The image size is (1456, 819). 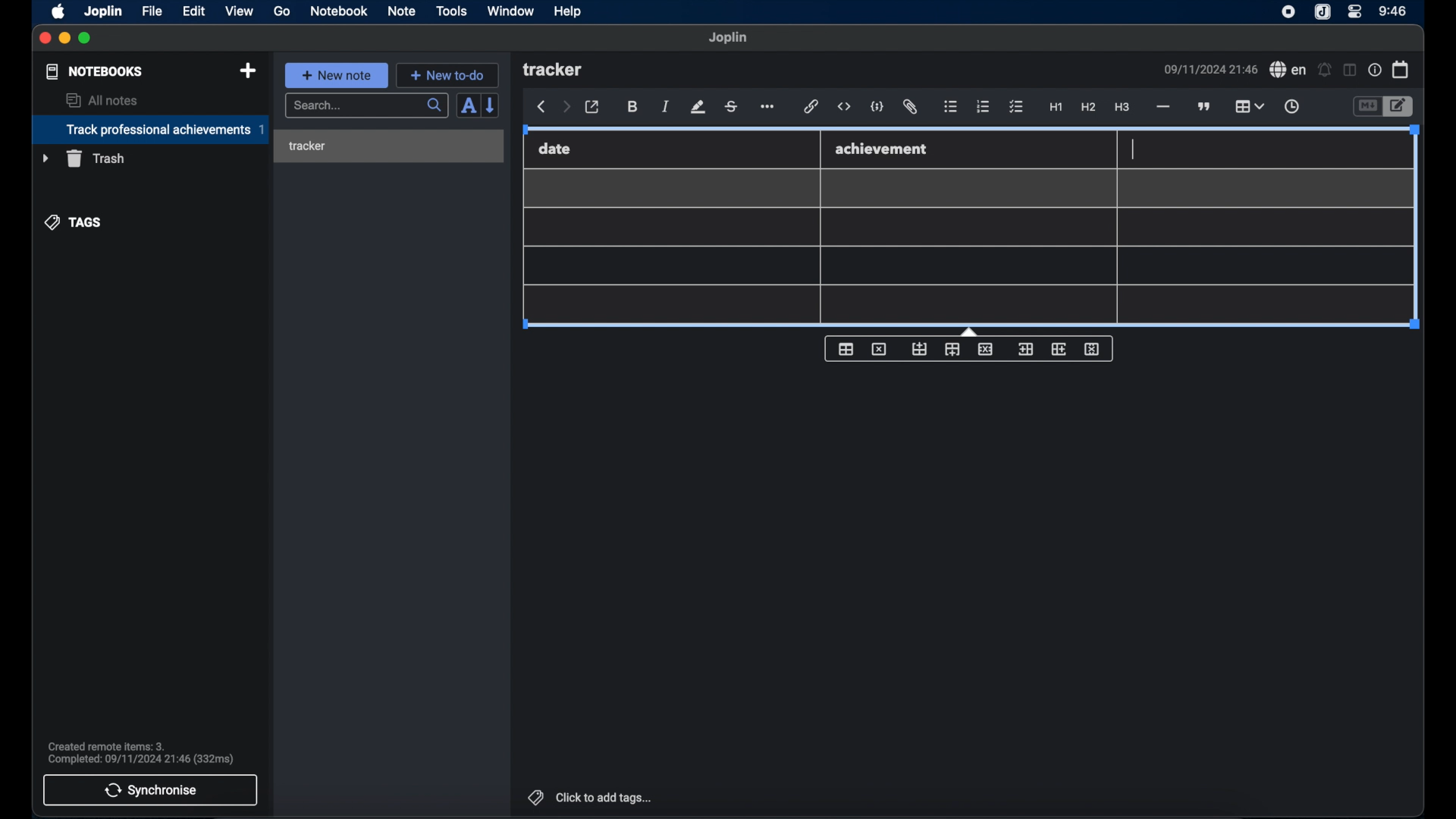 I want to click on checklist, so click(x=1016, y=107).